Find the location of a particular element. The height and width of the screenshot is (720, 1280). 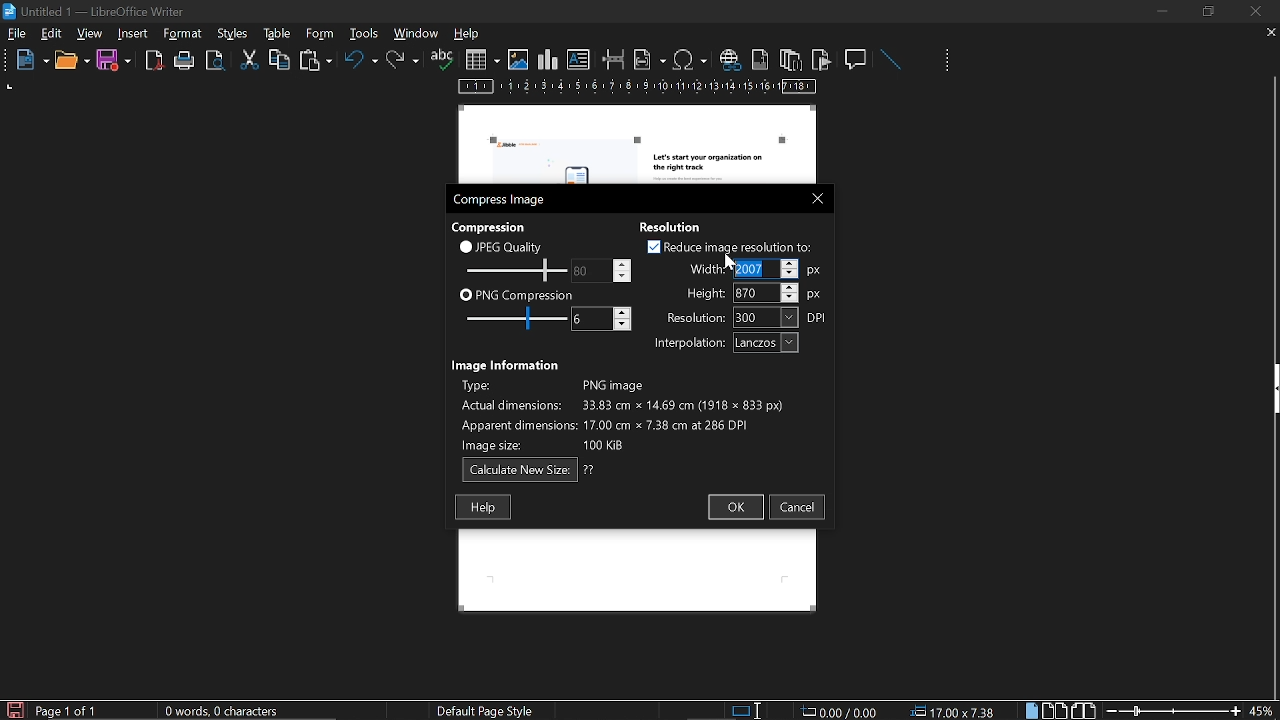

toggle print preview is located at coordinates (218, 61).